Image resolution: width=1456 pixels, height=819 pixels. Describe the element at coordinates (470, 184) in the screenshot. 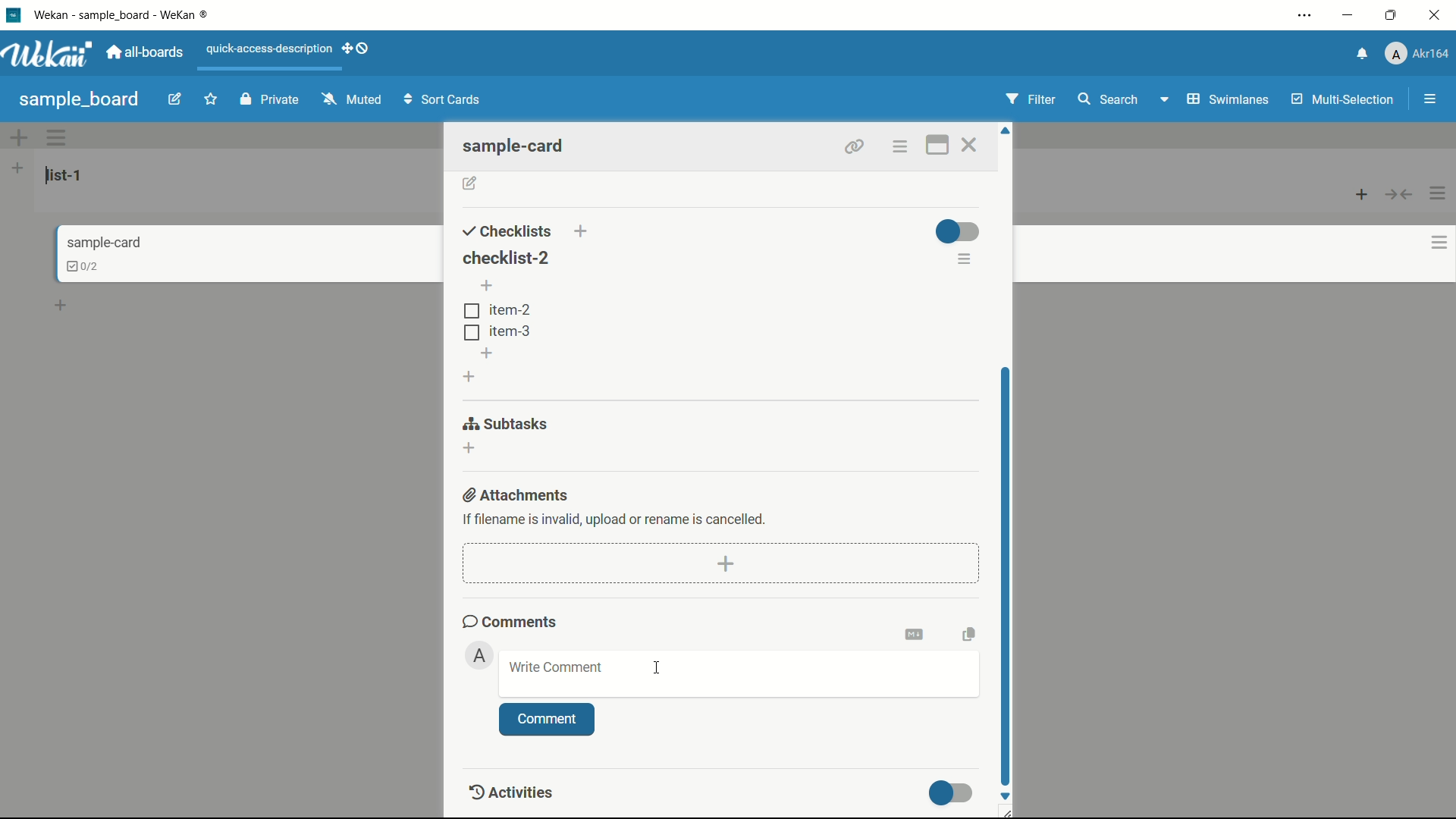

I see `add description` at that location.